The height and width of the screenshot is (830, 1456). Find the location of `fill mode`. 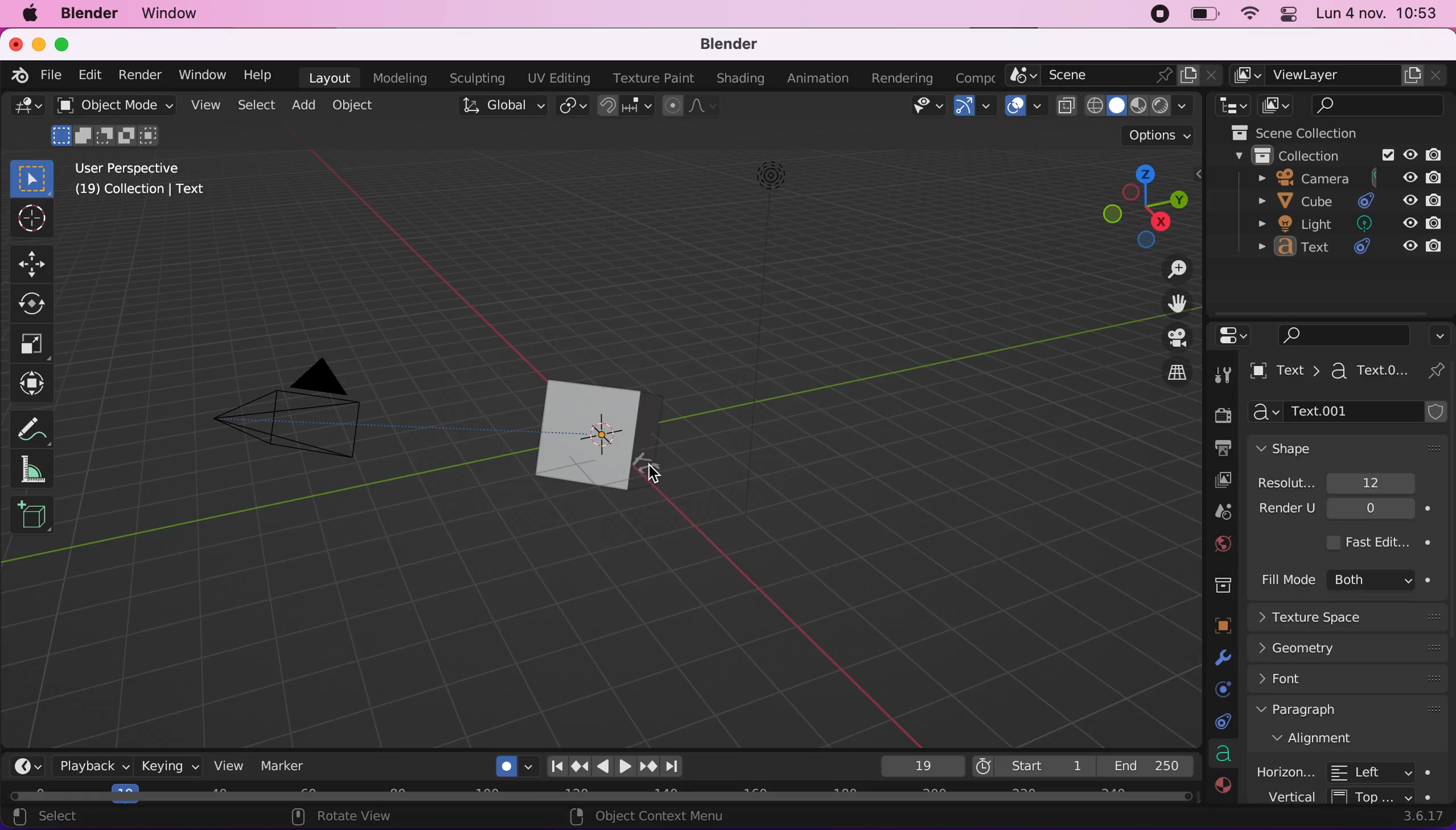

fill mode is located at coordinates (1349, 581).